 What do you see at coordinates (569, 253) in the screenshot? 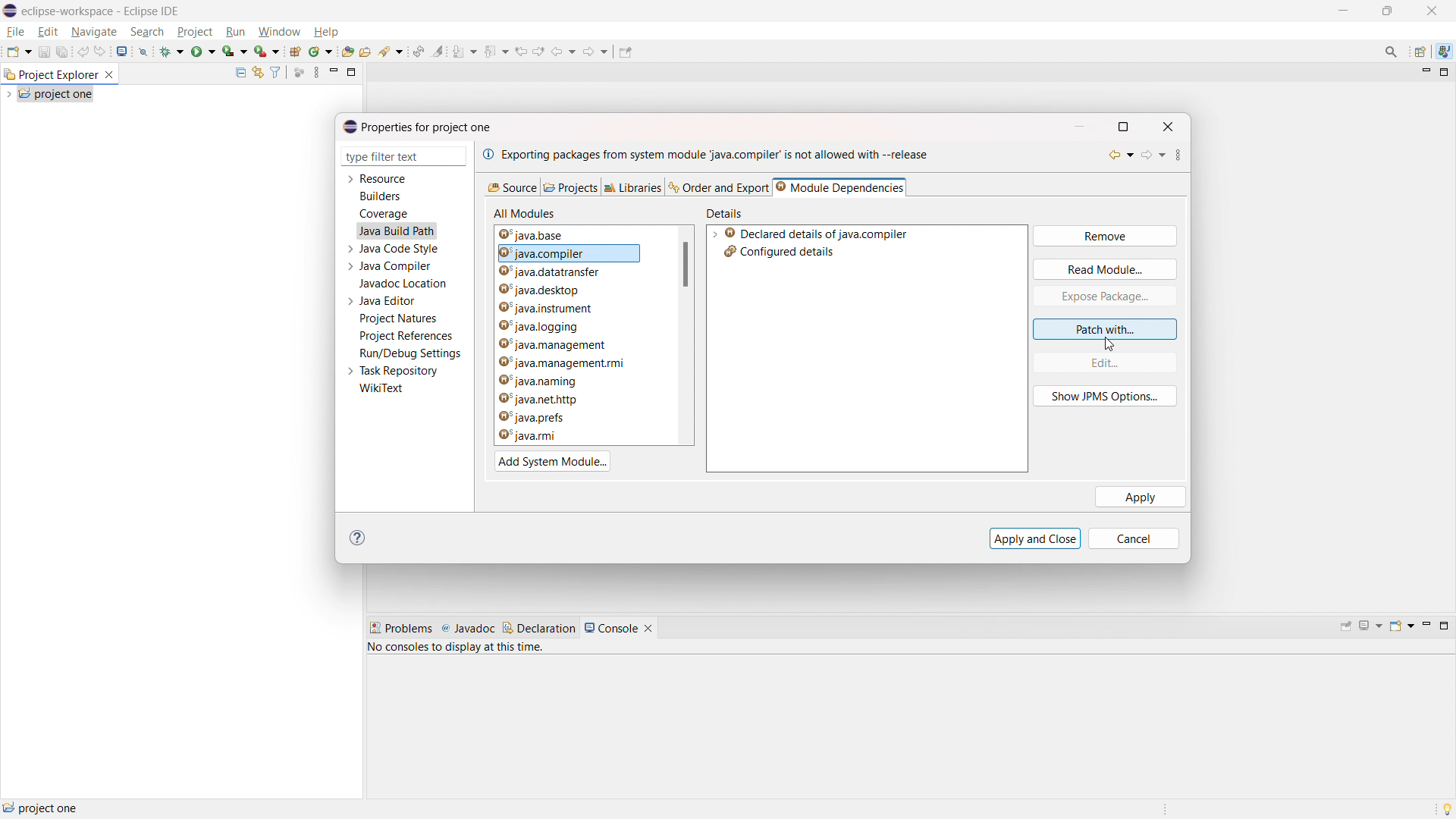
I see `java.compiler module selected` at bounding box center [569, 253].